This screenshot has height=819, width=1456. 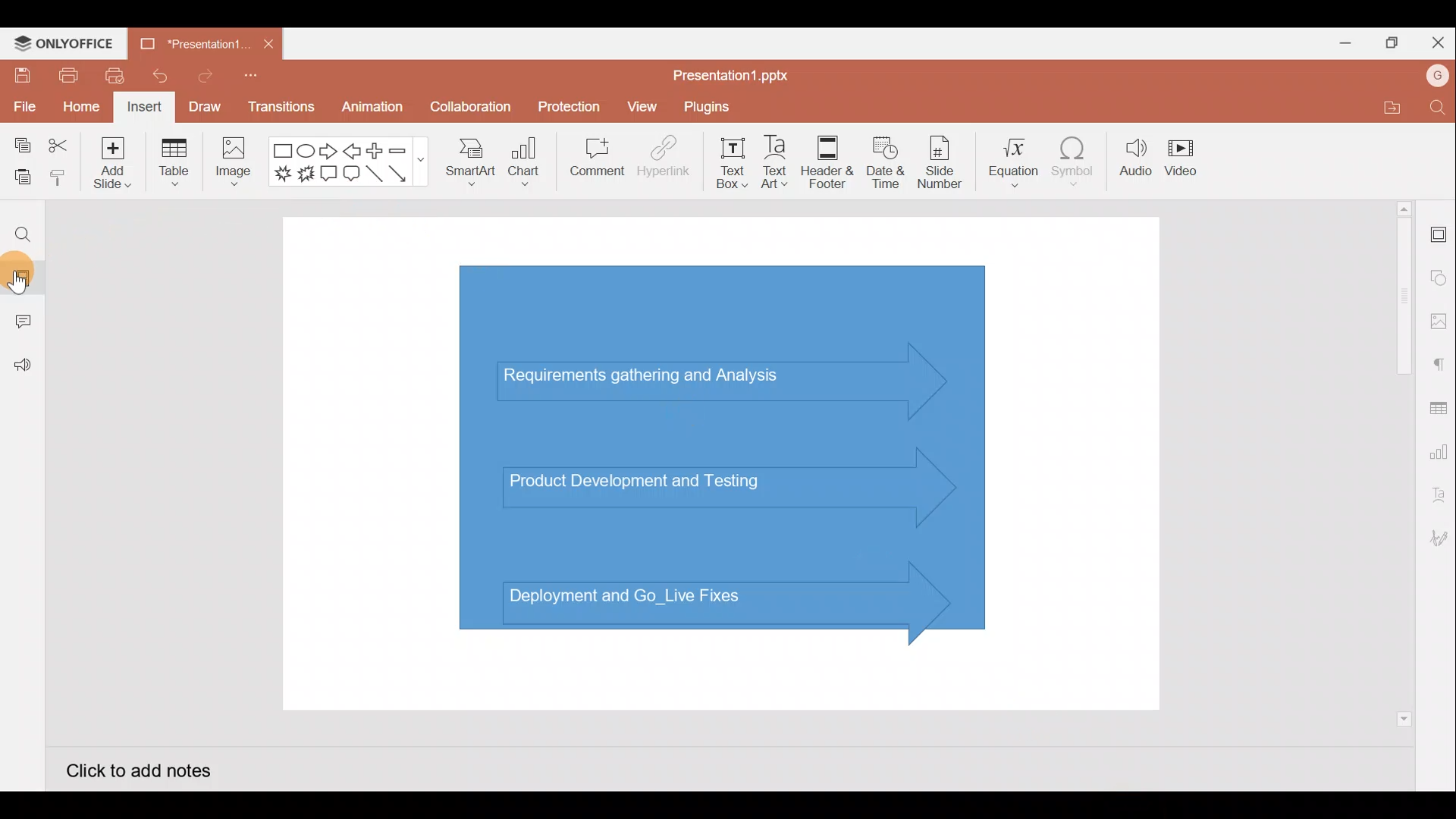 What do you see at coordinates (467, 168) in the screenshot?
I see `SmartArt` at bounding box center [467, 168].